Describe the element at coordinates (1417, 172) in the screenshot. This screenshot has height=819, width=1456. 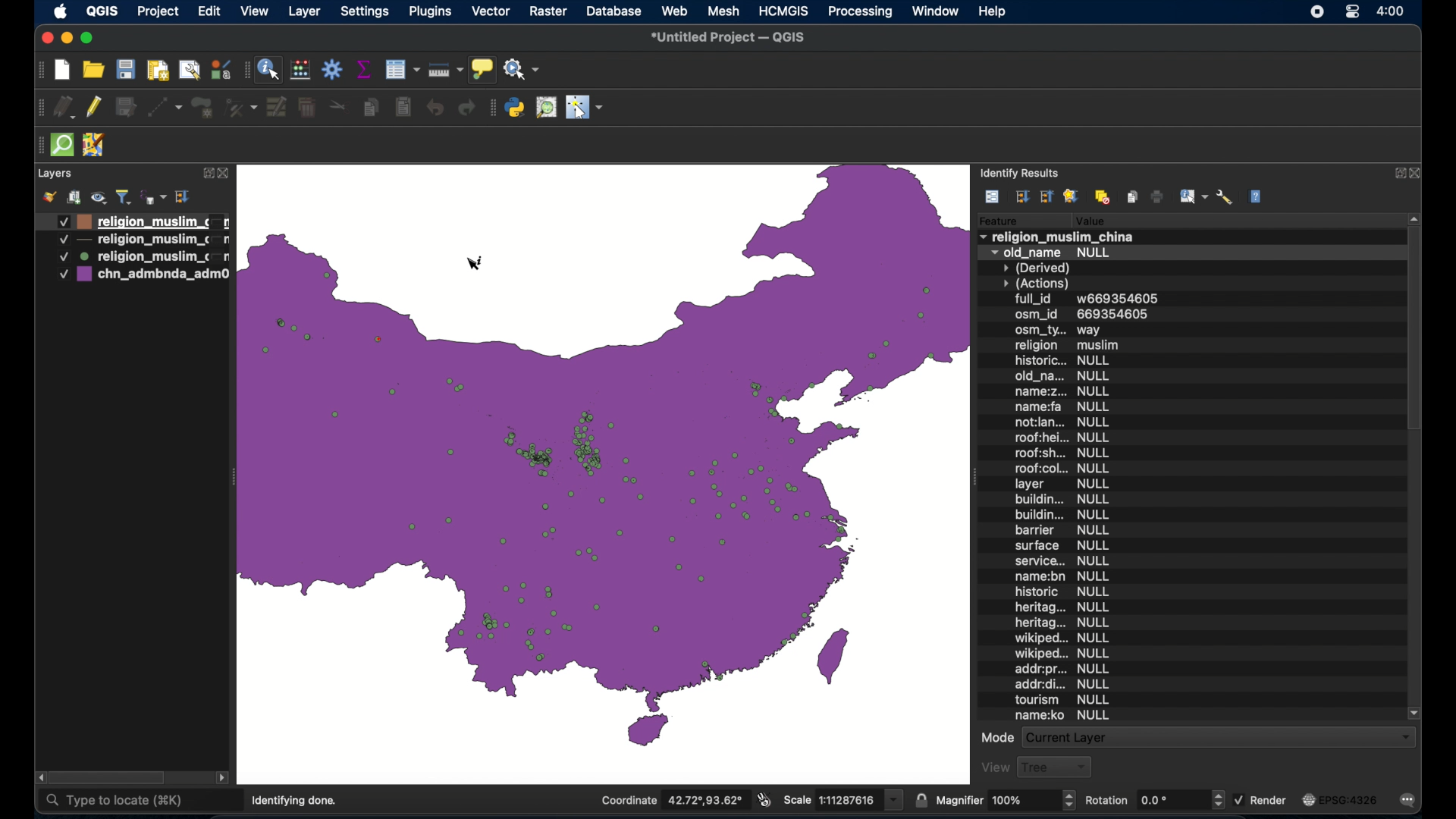
I see `close` at that location.